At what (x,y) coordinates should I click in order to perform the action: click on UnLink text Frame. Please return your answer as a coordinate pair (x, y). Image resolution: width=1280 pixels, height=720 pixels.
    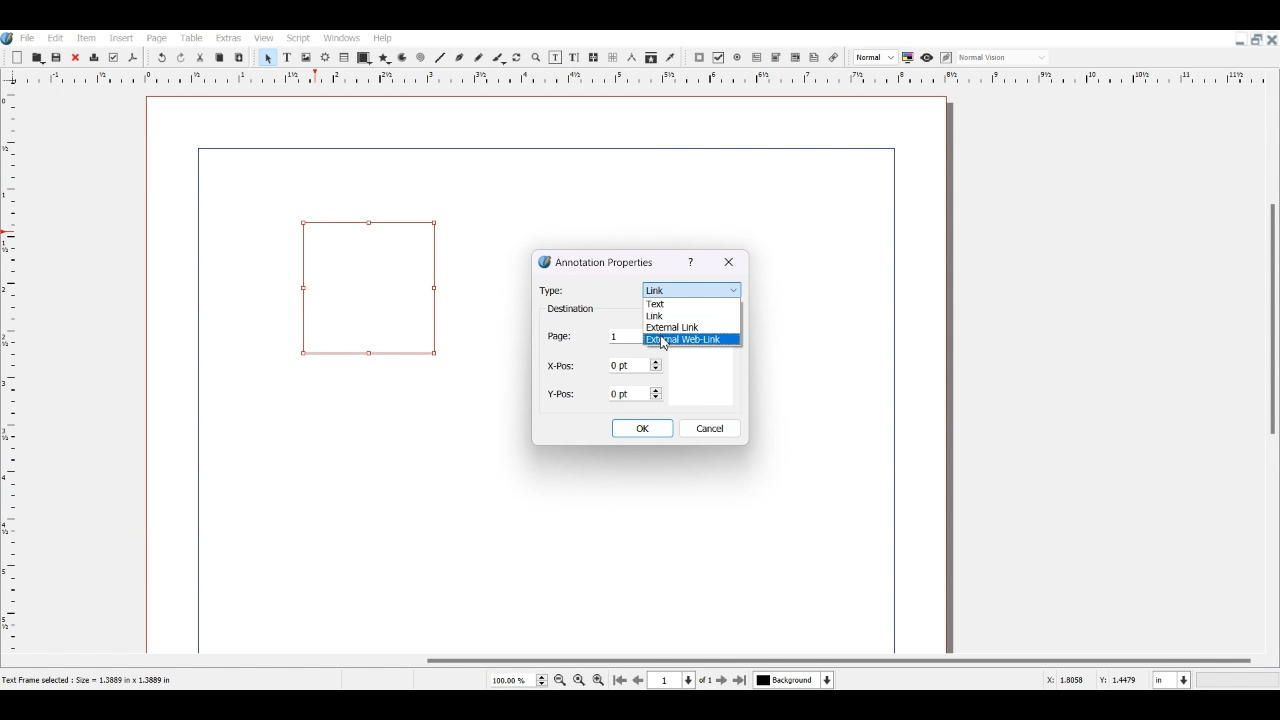
    Looking at the image, I should click on (613, 58).